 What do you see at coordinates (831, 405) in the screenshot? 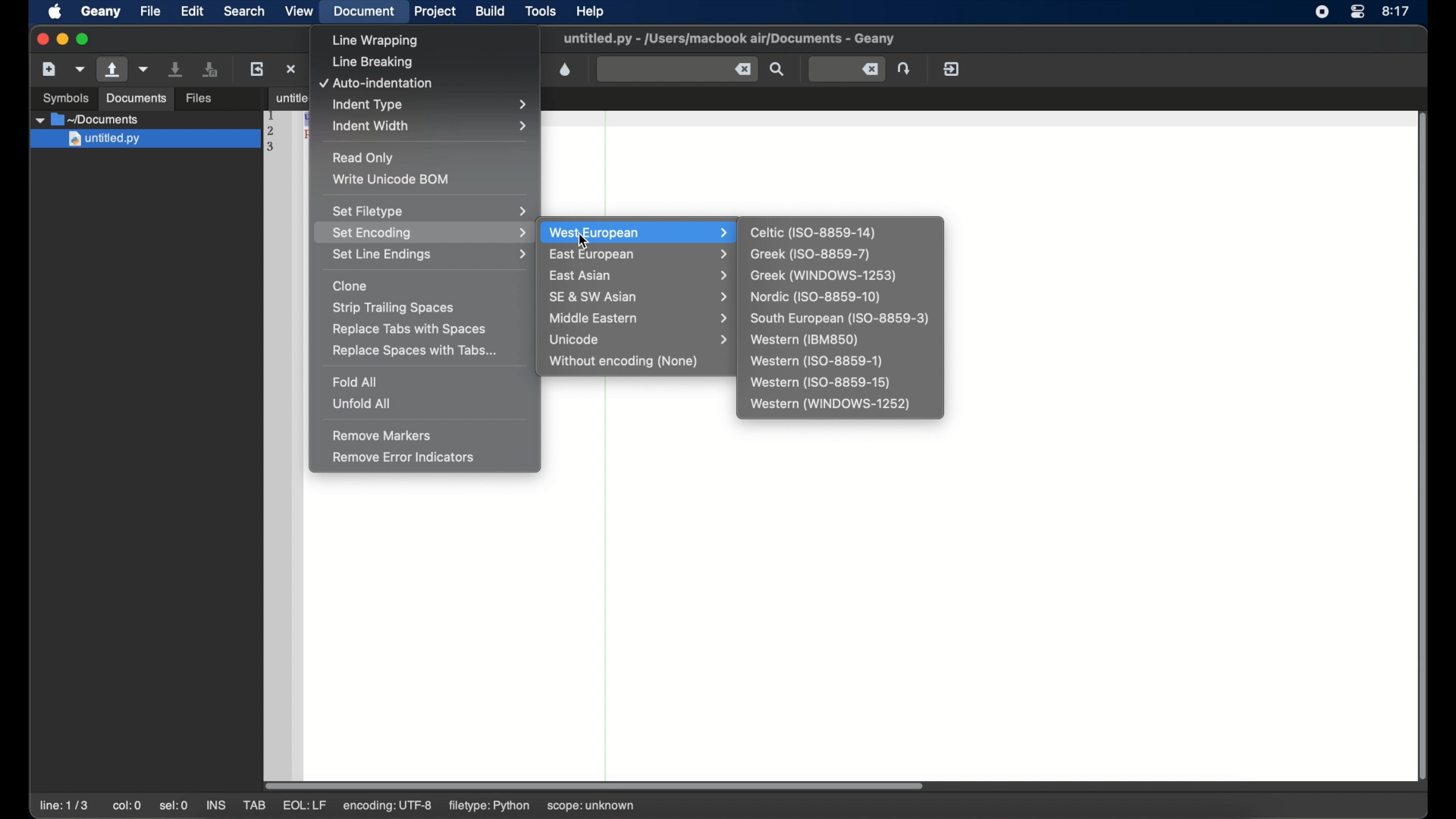
I see `western` at bounding box center [831, 405].